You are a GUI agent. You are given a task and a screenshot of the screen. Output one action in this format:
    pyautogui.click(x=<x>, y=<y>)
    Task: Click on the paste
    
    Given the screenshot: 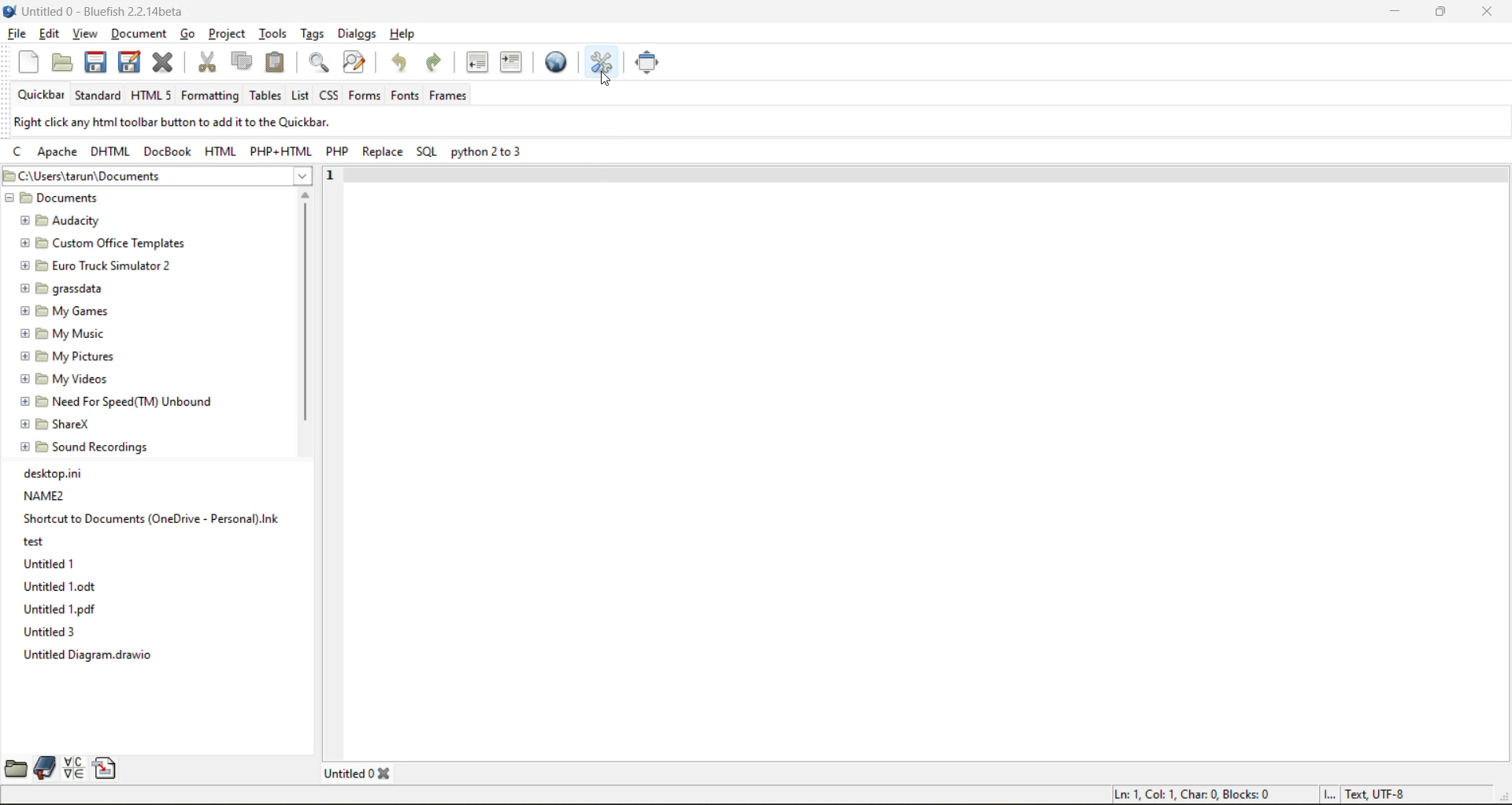 What is the action you would take?
    pyautogui.click(x=277, y=62)
    